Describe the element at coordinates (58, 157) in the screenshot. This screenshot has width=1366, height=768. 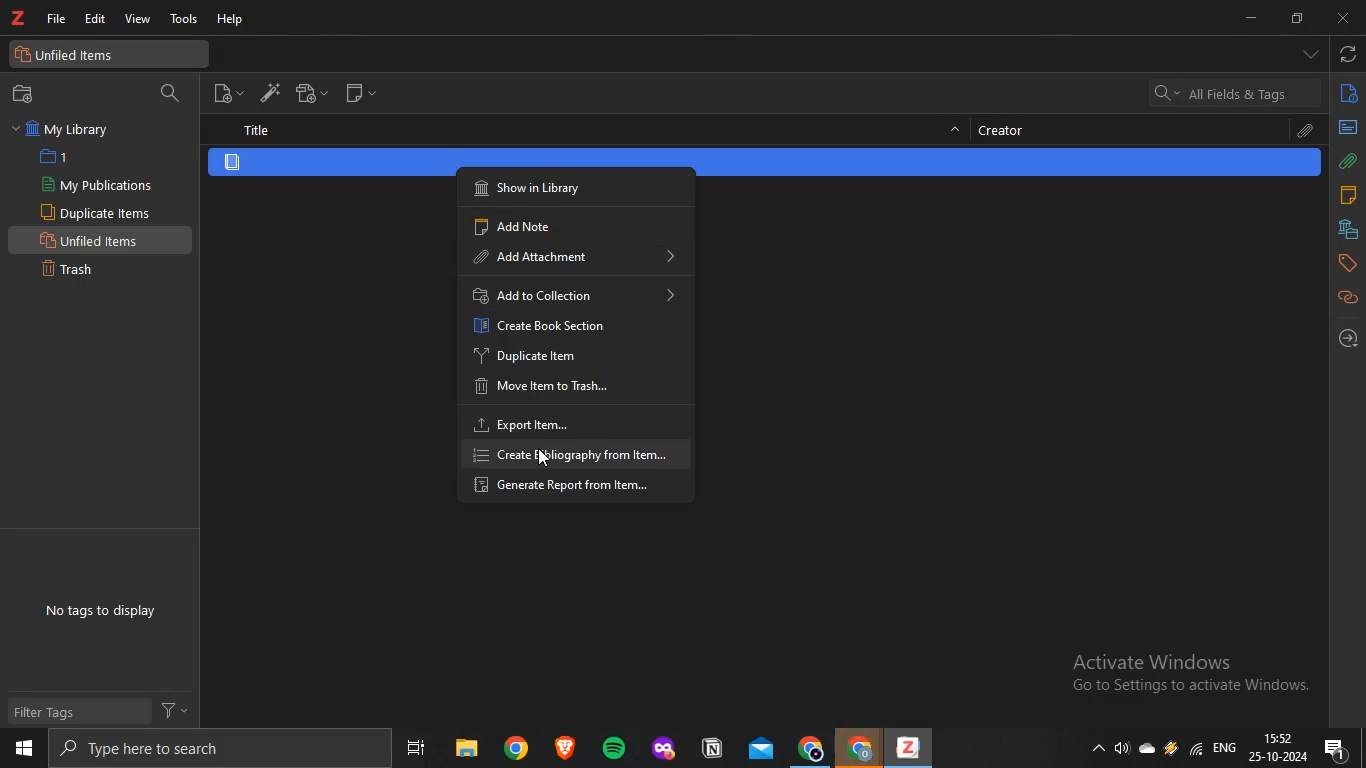
I see `1` at that location.